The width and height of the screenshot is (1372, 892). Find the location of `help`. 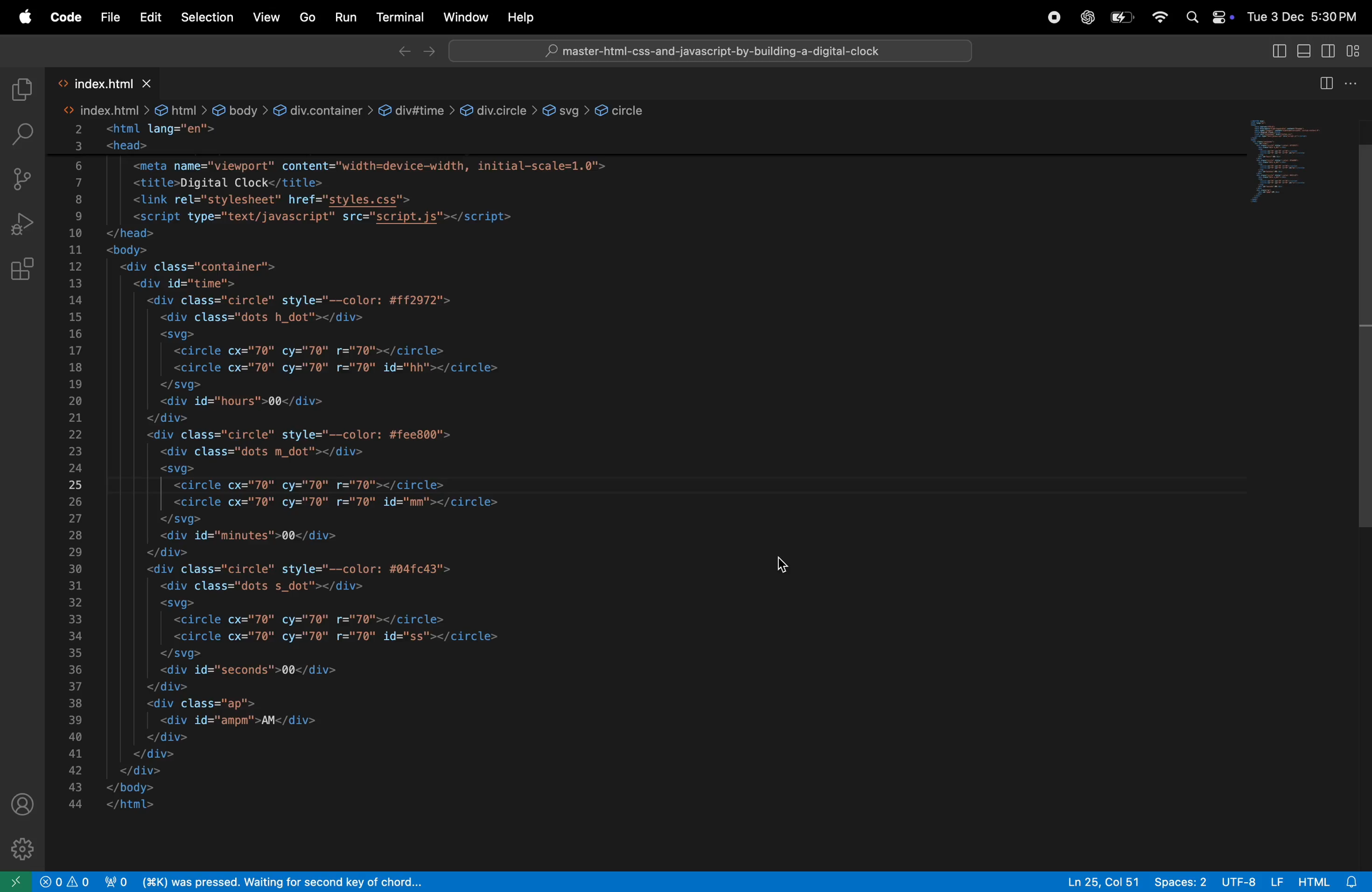

help is located at coordinates (524, 16).